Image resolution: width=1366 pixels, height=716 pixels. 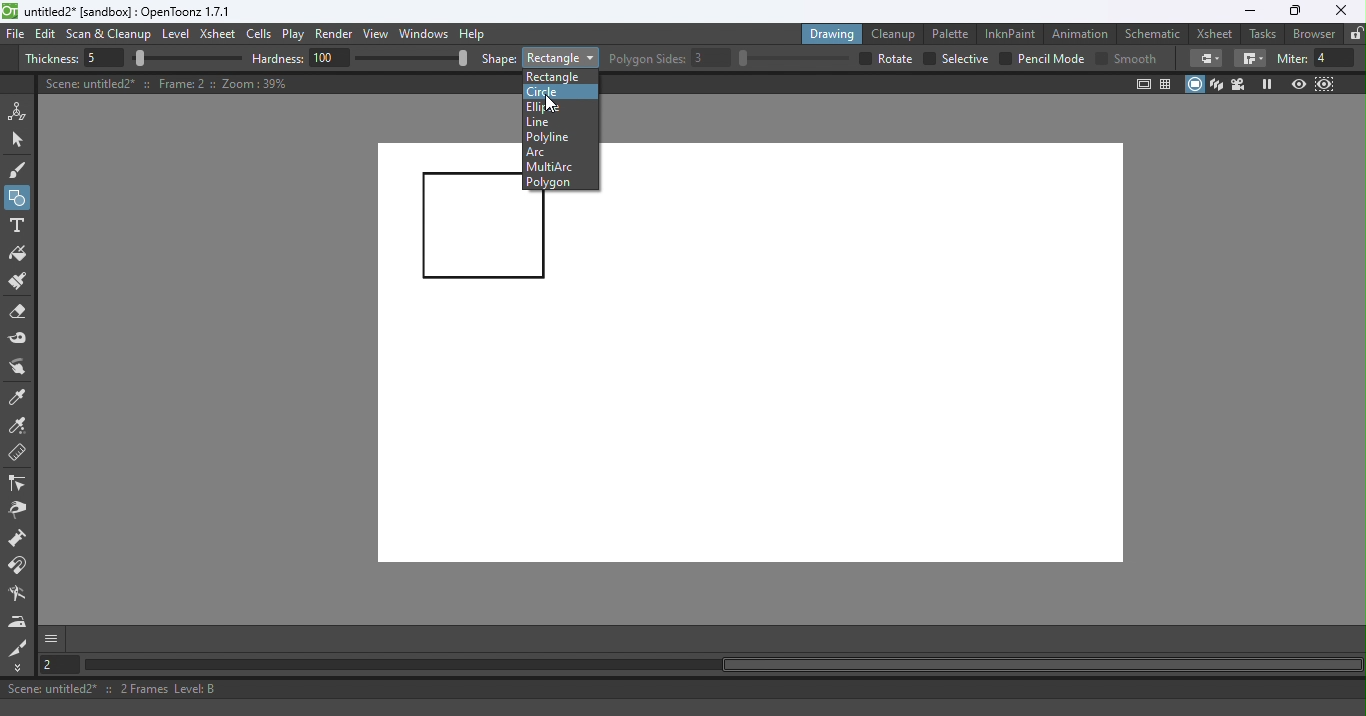 What do you see at coordinates (1218, 84) in the screenshot?
I see `3D View` at bounding box center [1218, 84].